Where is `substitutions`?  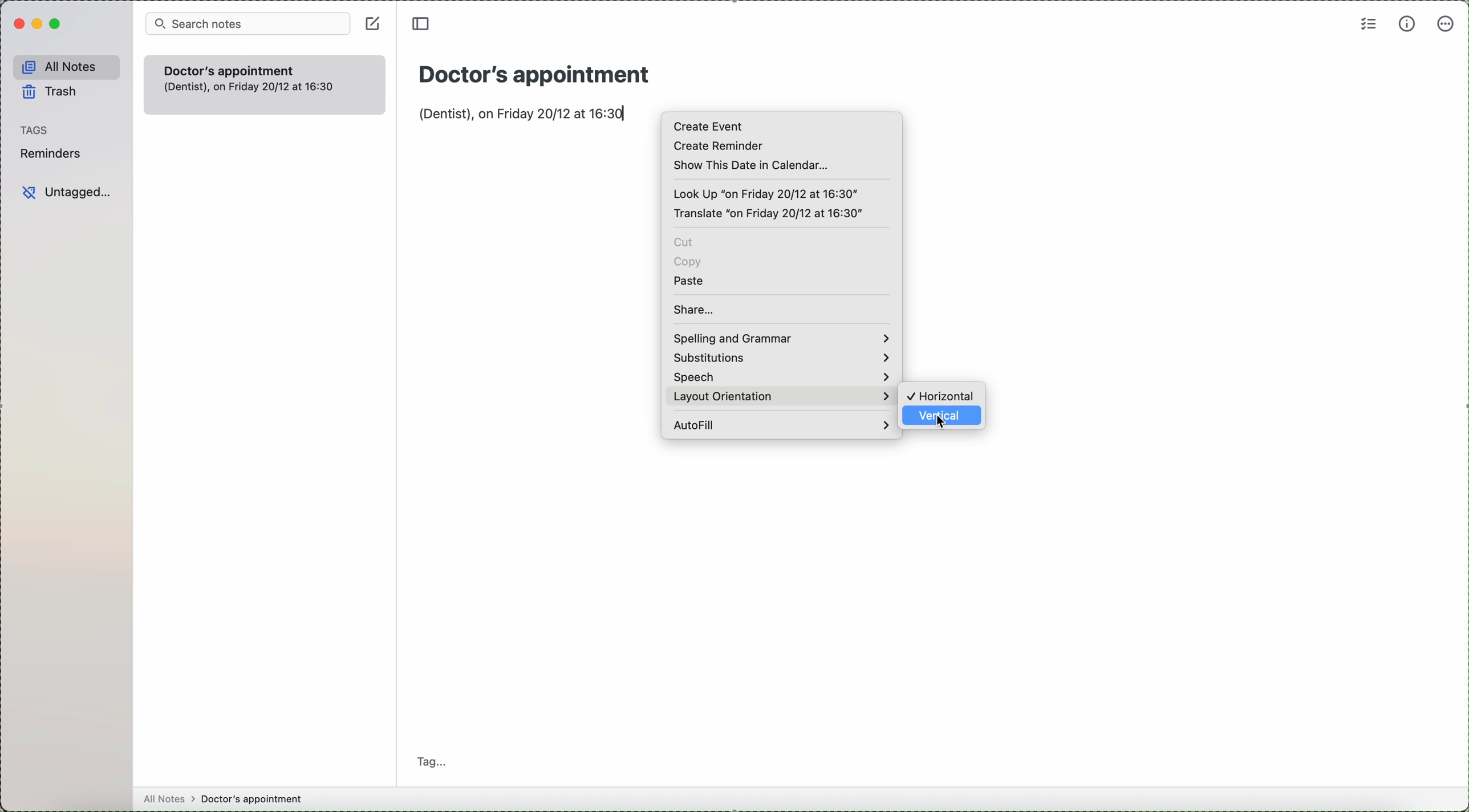
substitutions is located at coordinates (780, 358).